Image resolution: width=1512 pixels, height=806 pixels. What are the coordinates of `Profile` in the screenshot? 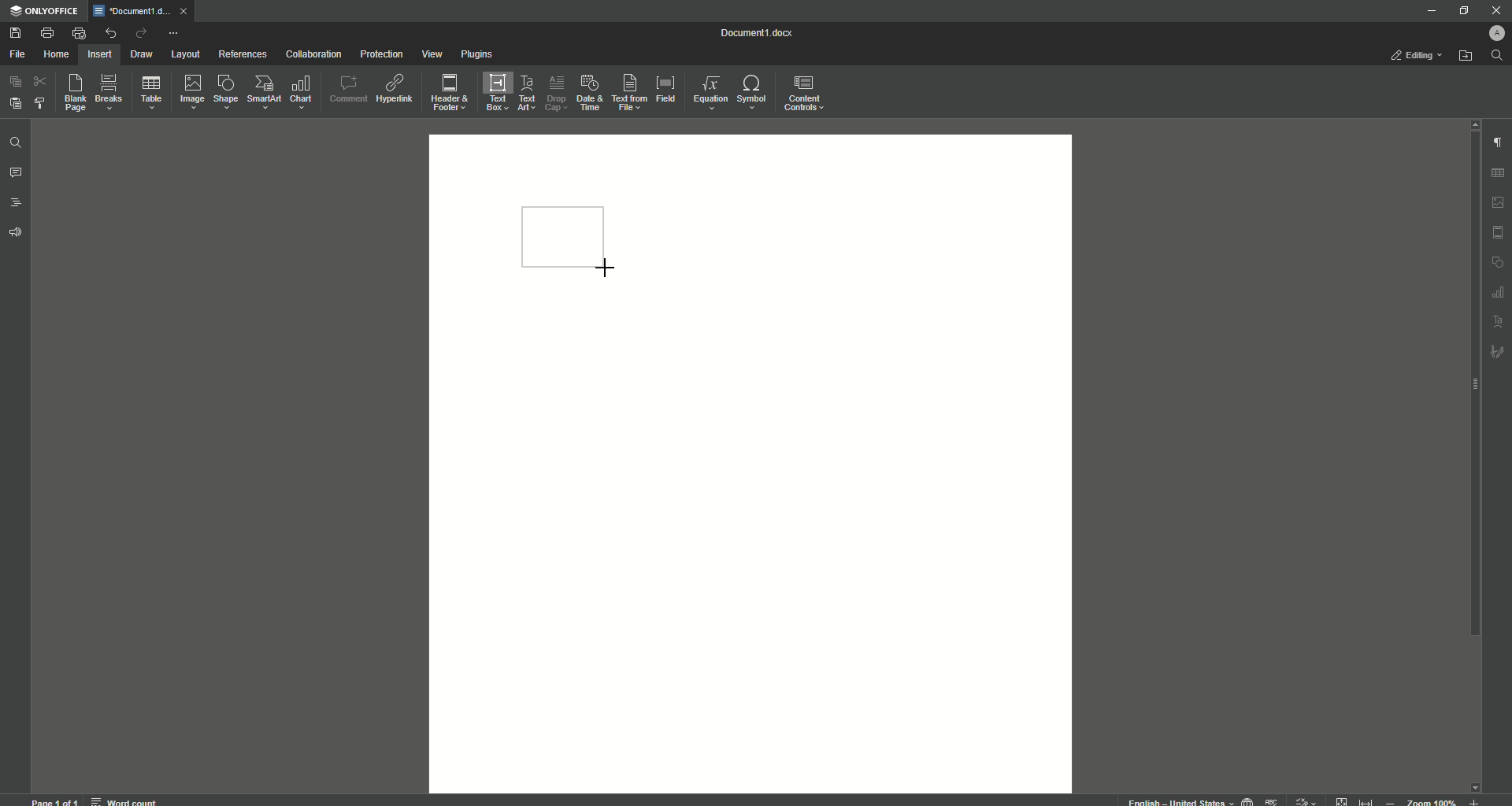 It's located at (1494, 33).